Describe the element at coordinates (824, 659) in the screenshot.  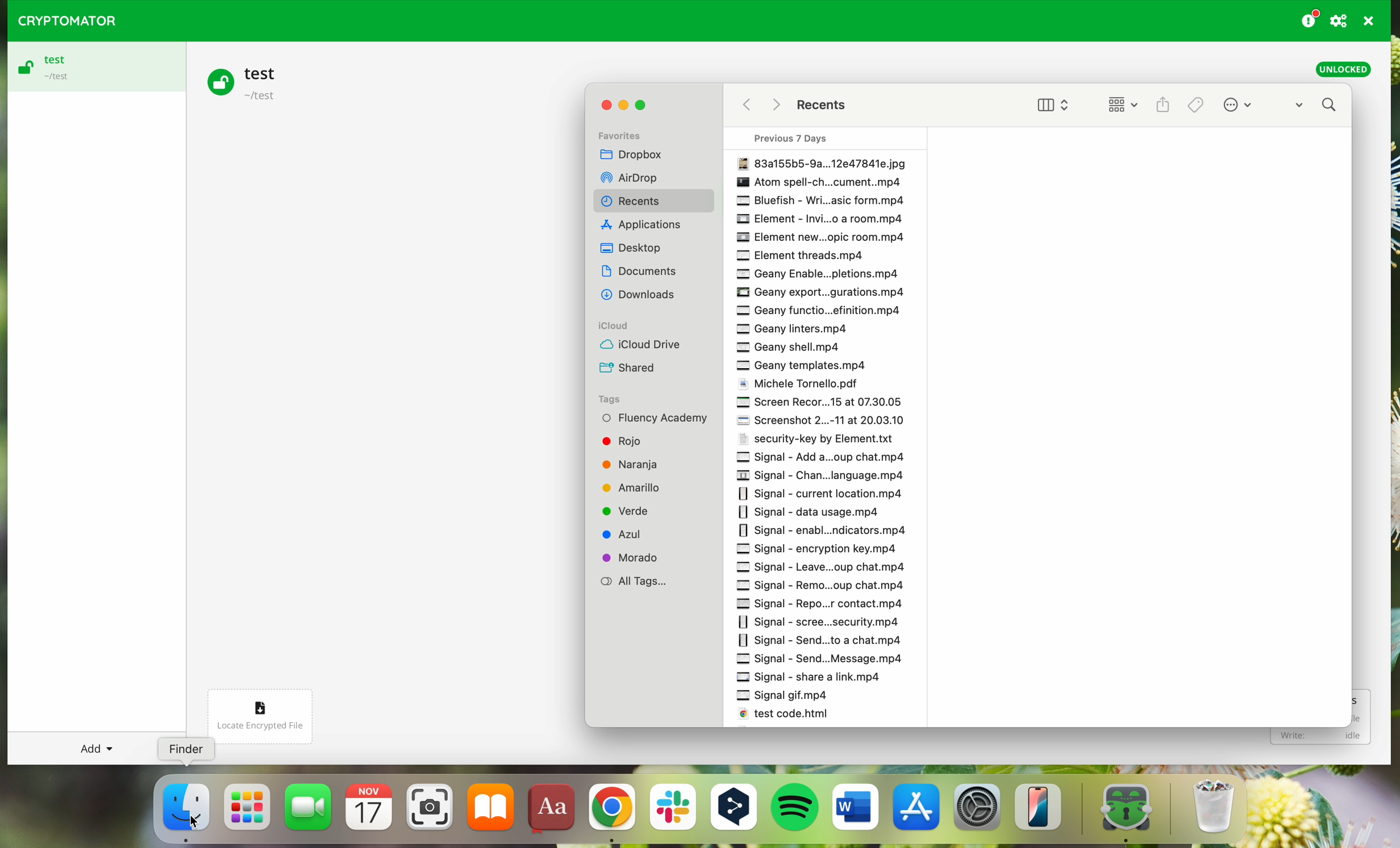
I see `Signal send message` at that location.